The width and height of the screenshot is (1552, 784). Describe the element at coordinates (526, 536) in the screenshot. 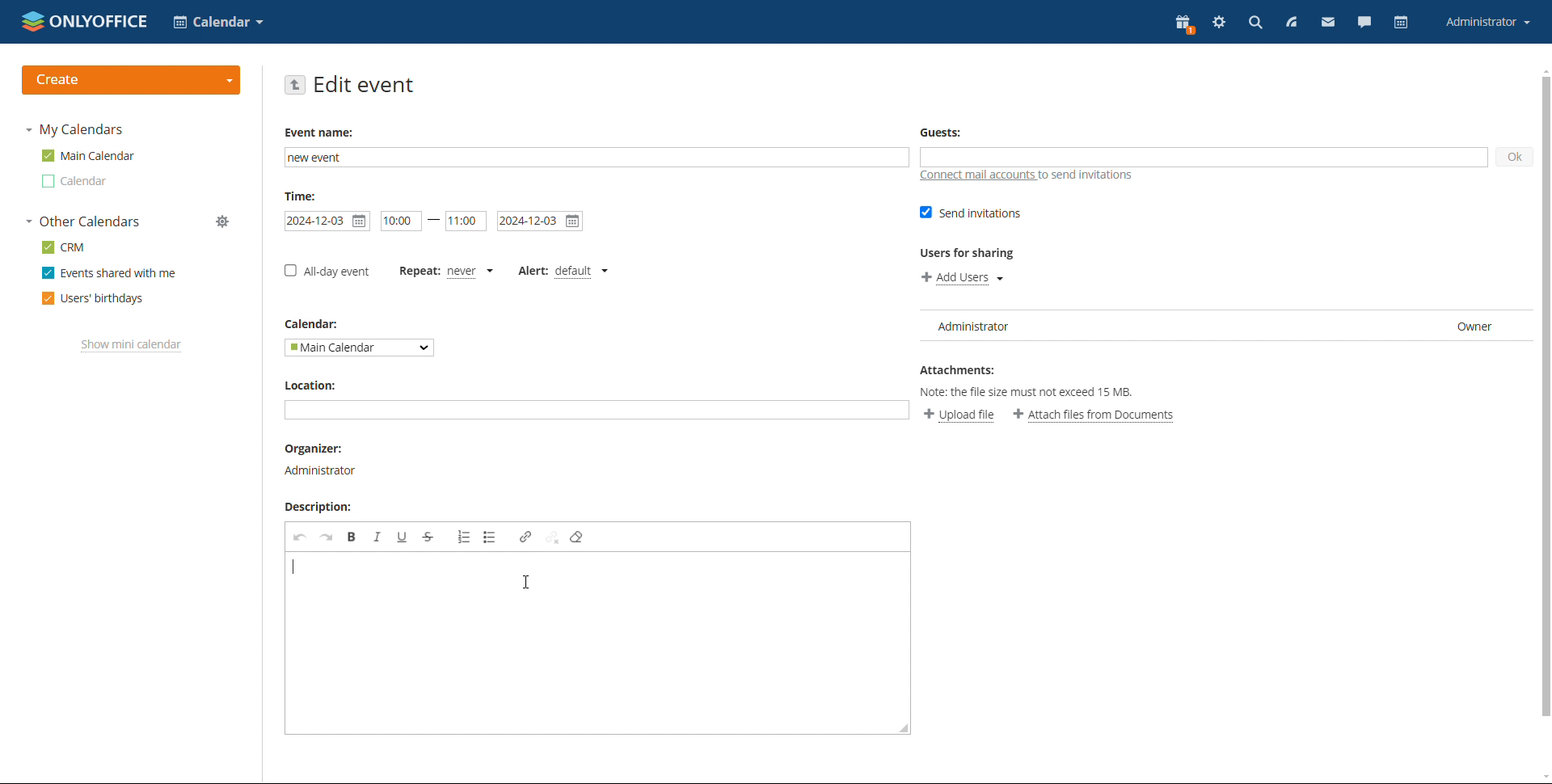

I see `link` at that location.